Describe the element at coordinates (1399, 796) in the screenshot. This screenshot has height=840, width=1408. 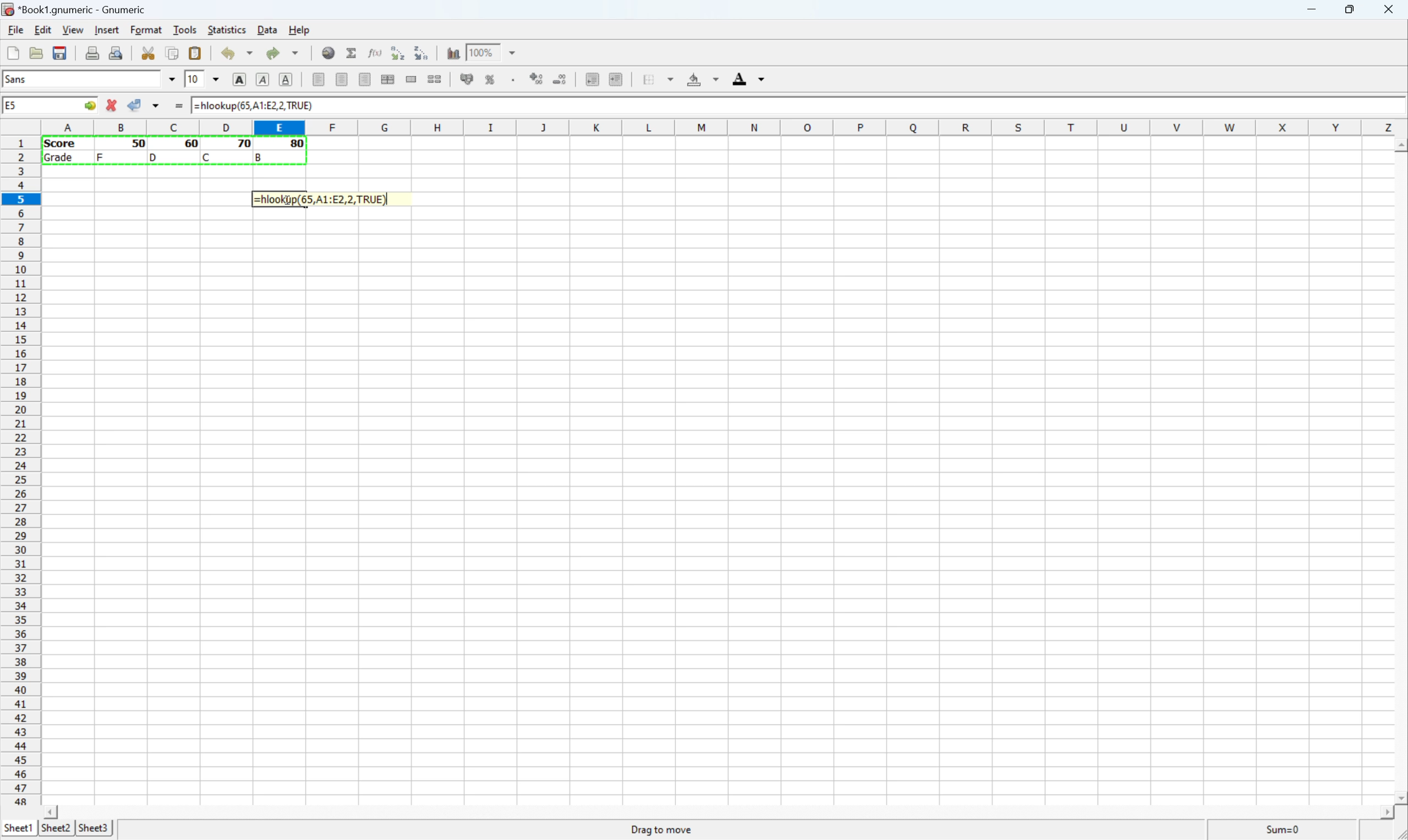
I see `Scroll Down` at that location.